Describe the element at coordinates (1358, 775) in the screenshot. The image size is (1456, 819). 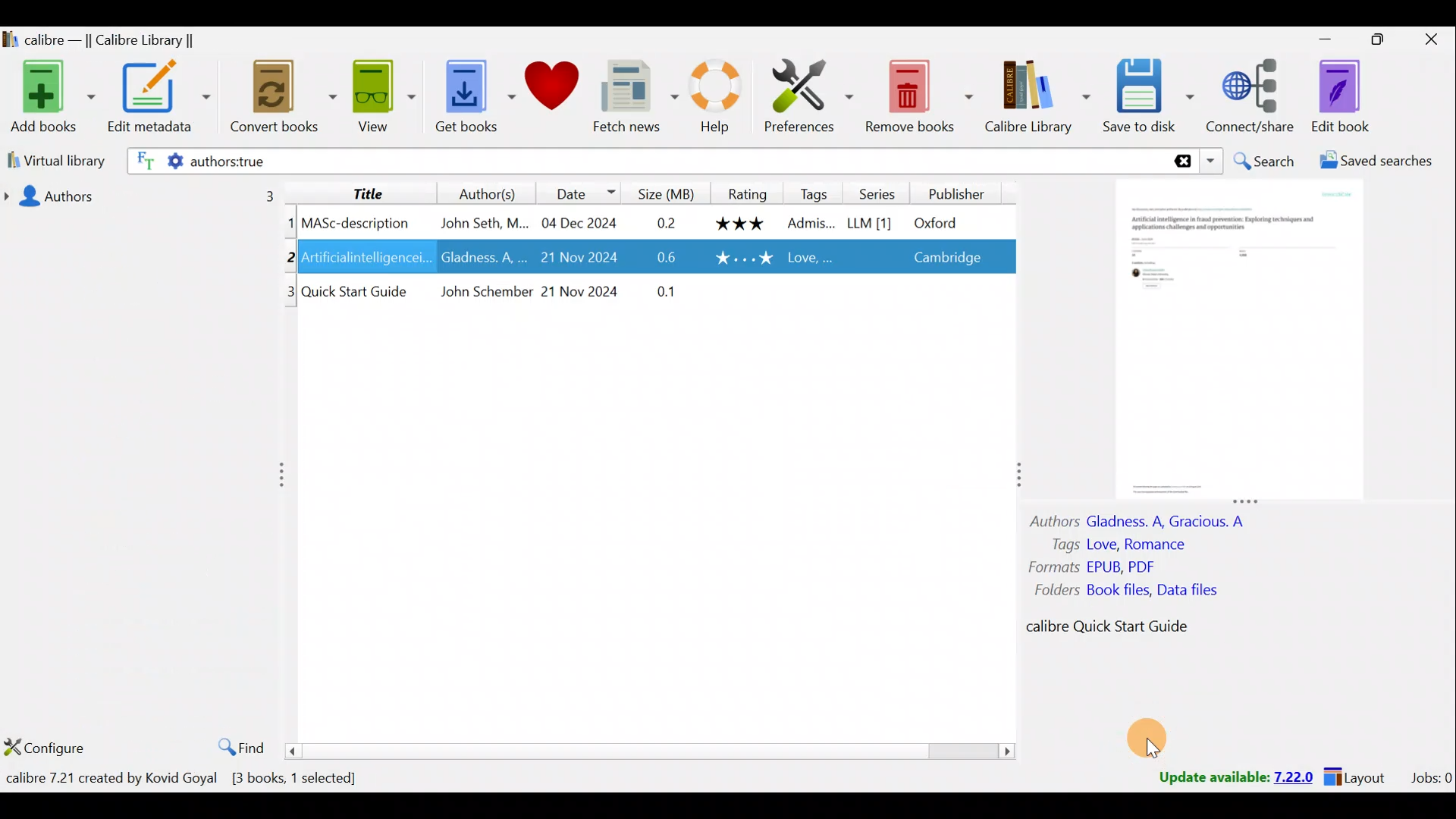
I see `Layout` at that location.